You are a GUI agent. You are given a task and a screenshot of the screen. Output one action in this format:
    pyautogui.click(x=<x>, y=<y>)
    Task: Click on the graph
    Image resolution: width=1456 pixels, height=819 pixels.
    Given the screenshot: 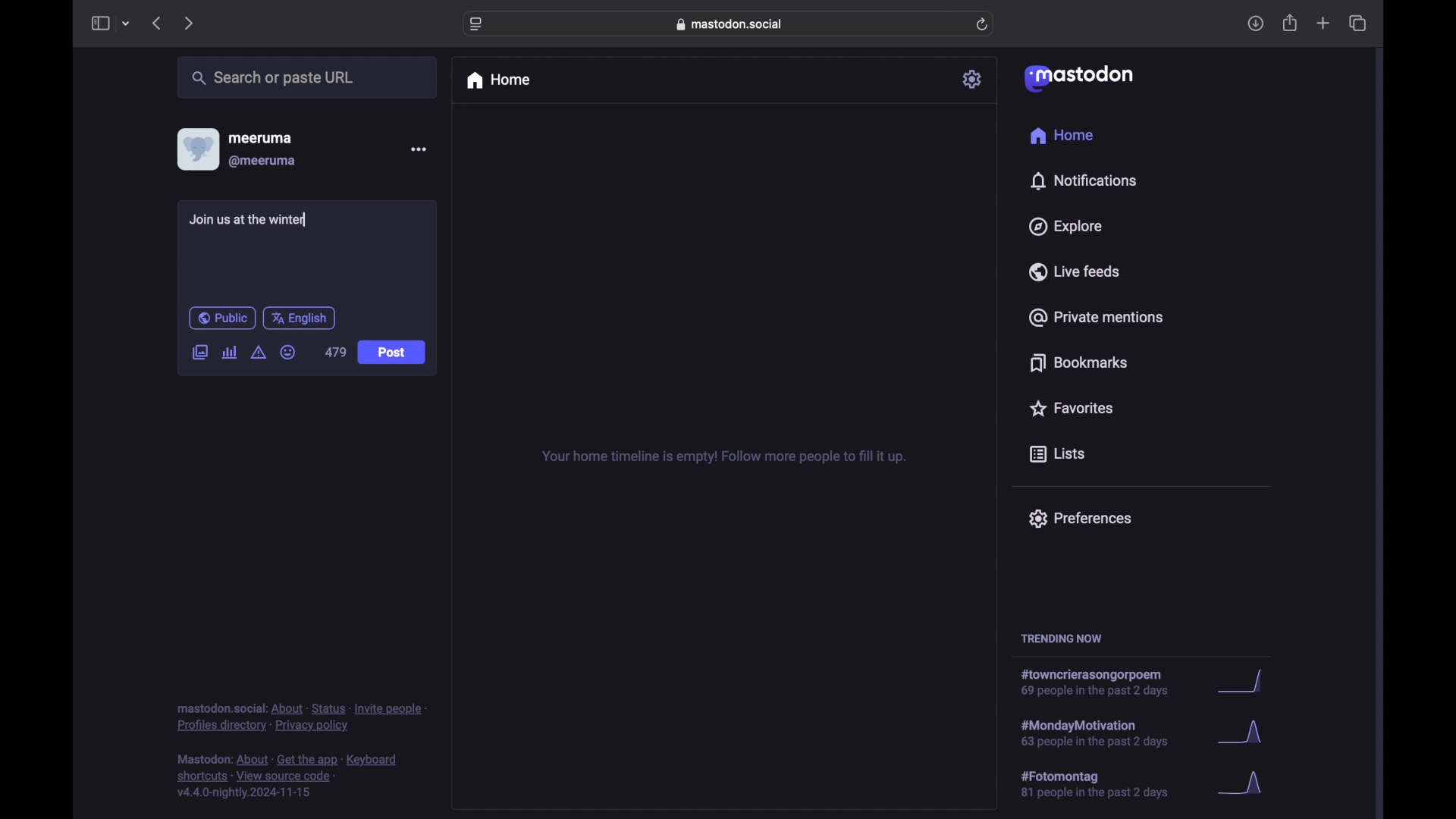 What is the action you would take?
    pyautogui.click(x=1245, y=784)
    